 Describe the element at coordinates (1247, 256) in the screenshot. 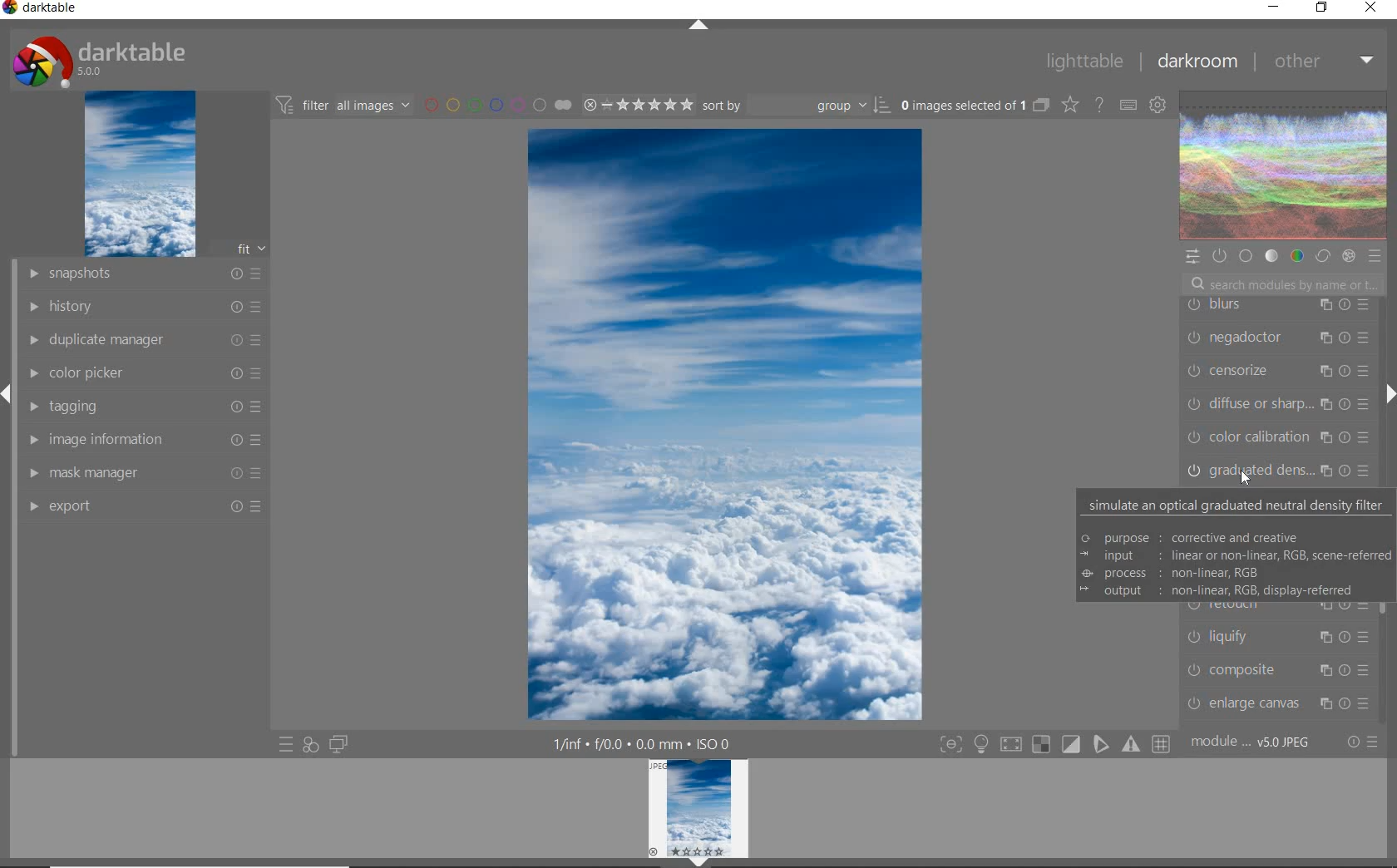

I see `BASE` at that location.